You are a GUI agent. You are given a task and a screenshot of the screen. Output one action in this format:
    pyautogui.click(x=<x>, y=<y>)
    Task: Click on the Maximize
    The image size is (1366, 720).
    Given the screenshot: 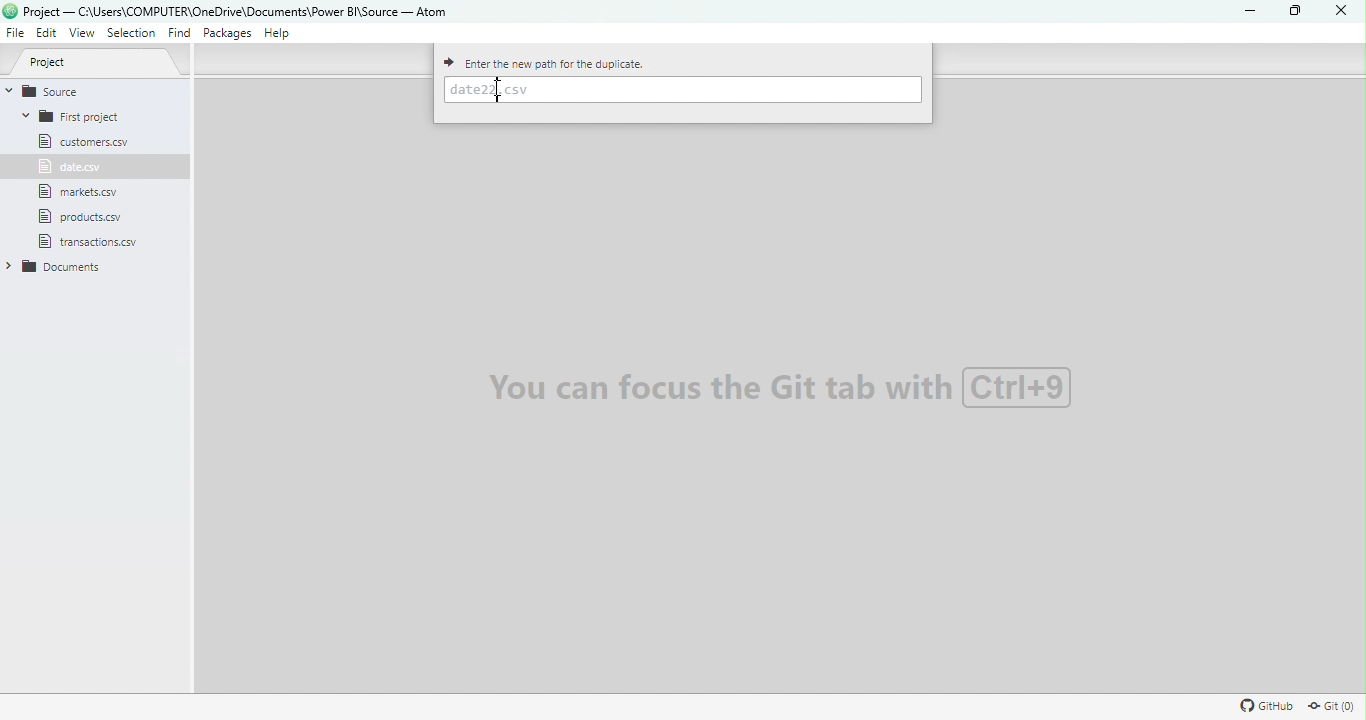 What is the action you would take?
    pyautogui.click(x=1291, y=11)
    